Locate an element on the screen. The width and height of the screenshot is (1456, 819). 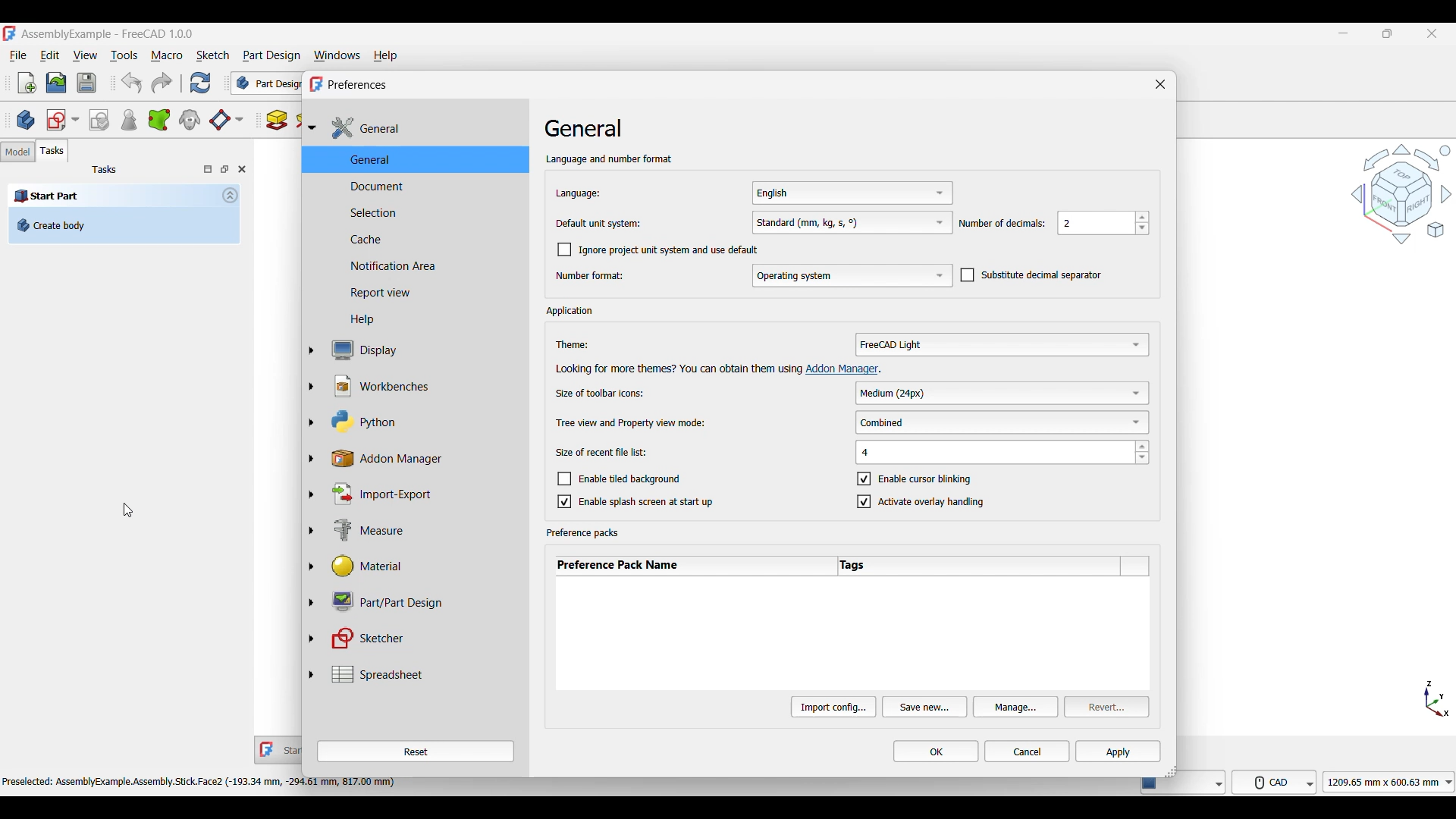
Preselected: AssemblyExample.Assembly.Stick.Face2  (-193.34 mm, -294.61 mm, 817.00 mm) is located at coordinates (200, 783).